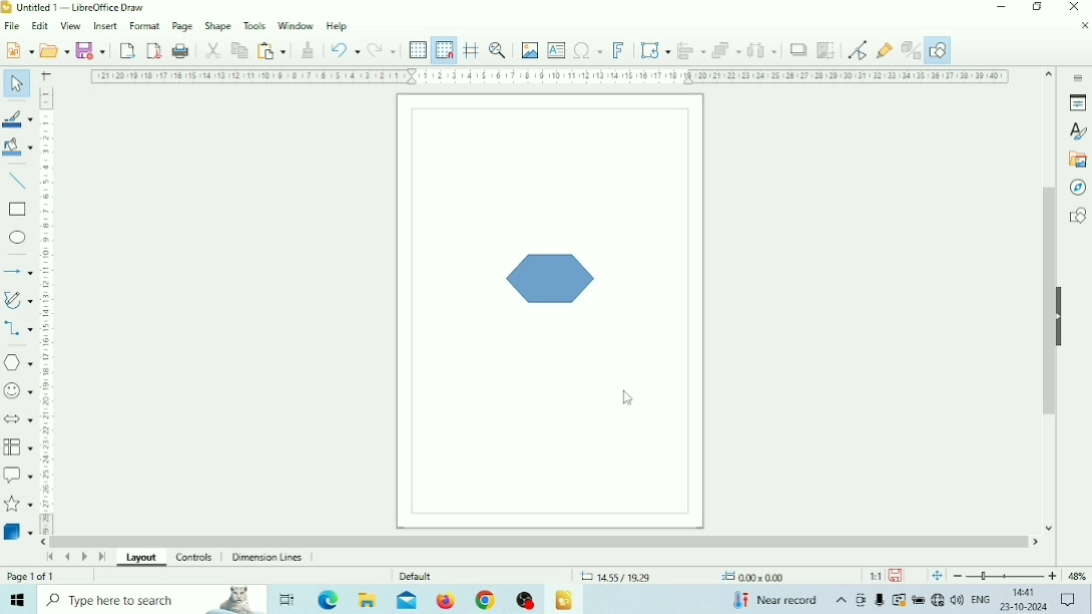  What do you see at coordinates (35, 577) in the screenshot?
I see `Page number` at bounding box center [35, 577].